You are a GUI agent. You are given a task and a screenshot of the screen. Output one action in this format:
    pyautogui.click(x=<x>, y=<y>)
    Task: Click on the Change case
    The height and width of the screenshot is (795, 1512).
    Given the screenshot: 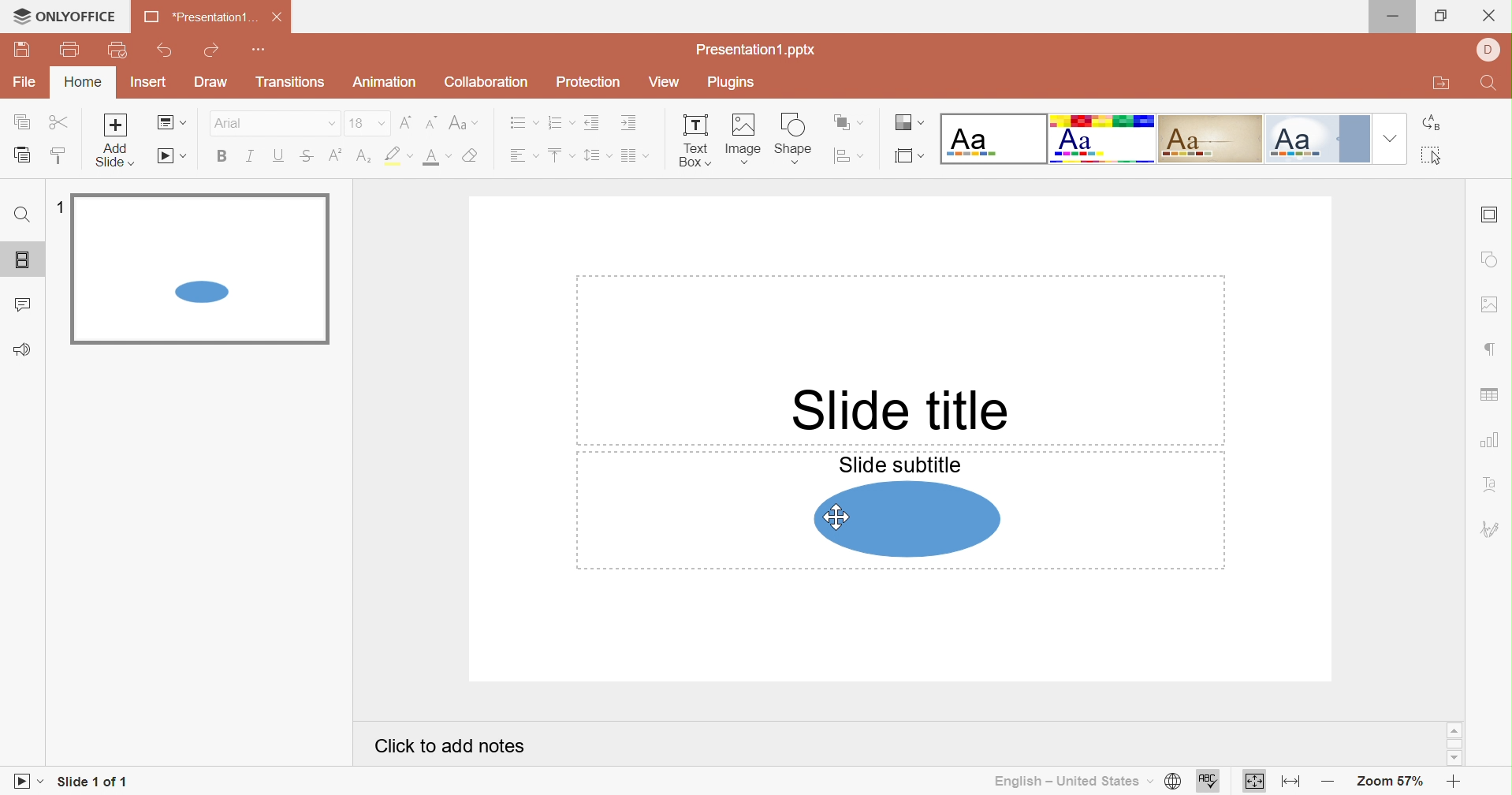 What is the action you would take?
    pyautogui.click(x=462, y=125)
    